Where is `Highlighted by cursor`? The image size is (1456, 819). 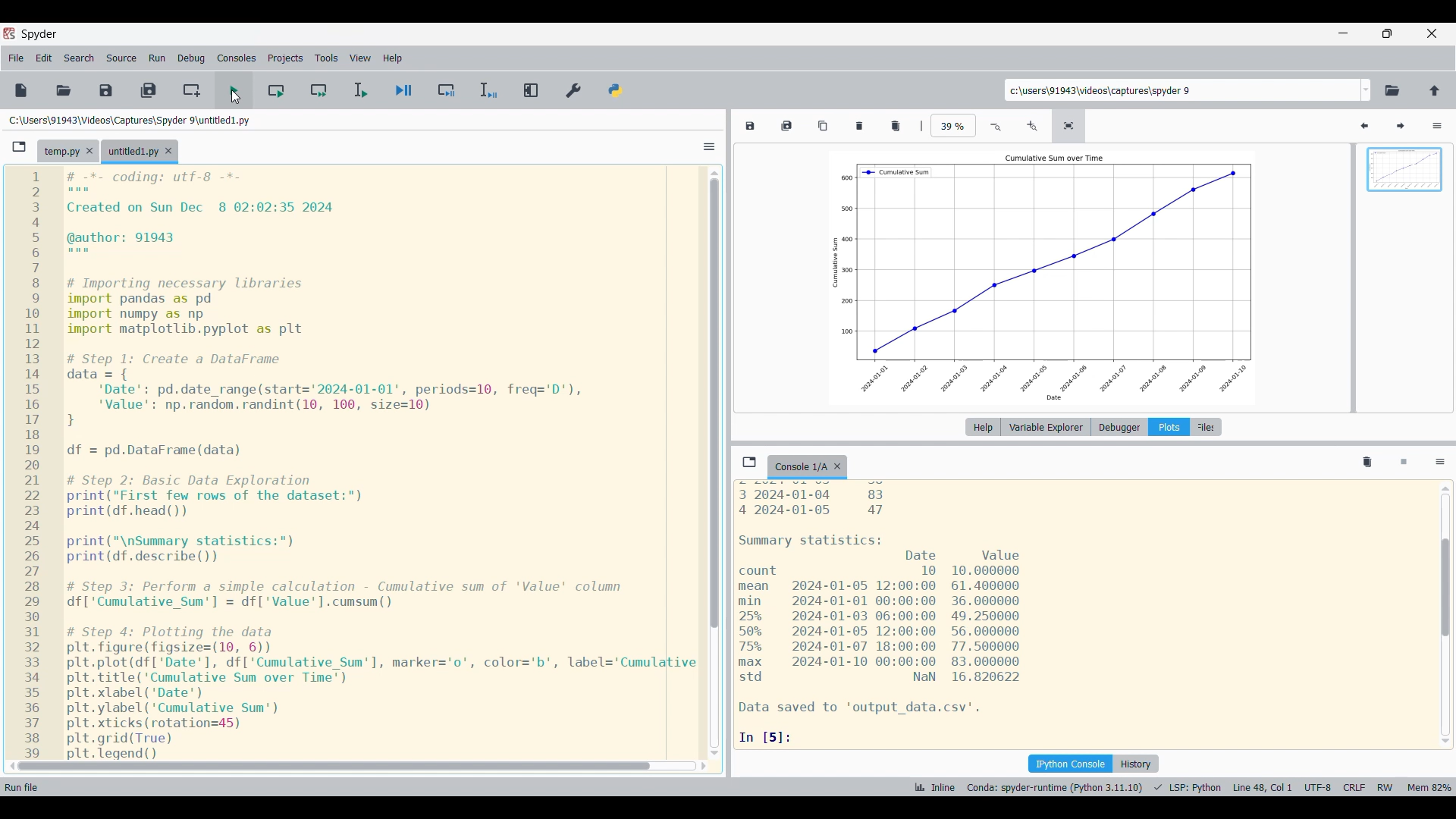
Highlighted by cursor is located at coordinates (234, 86).